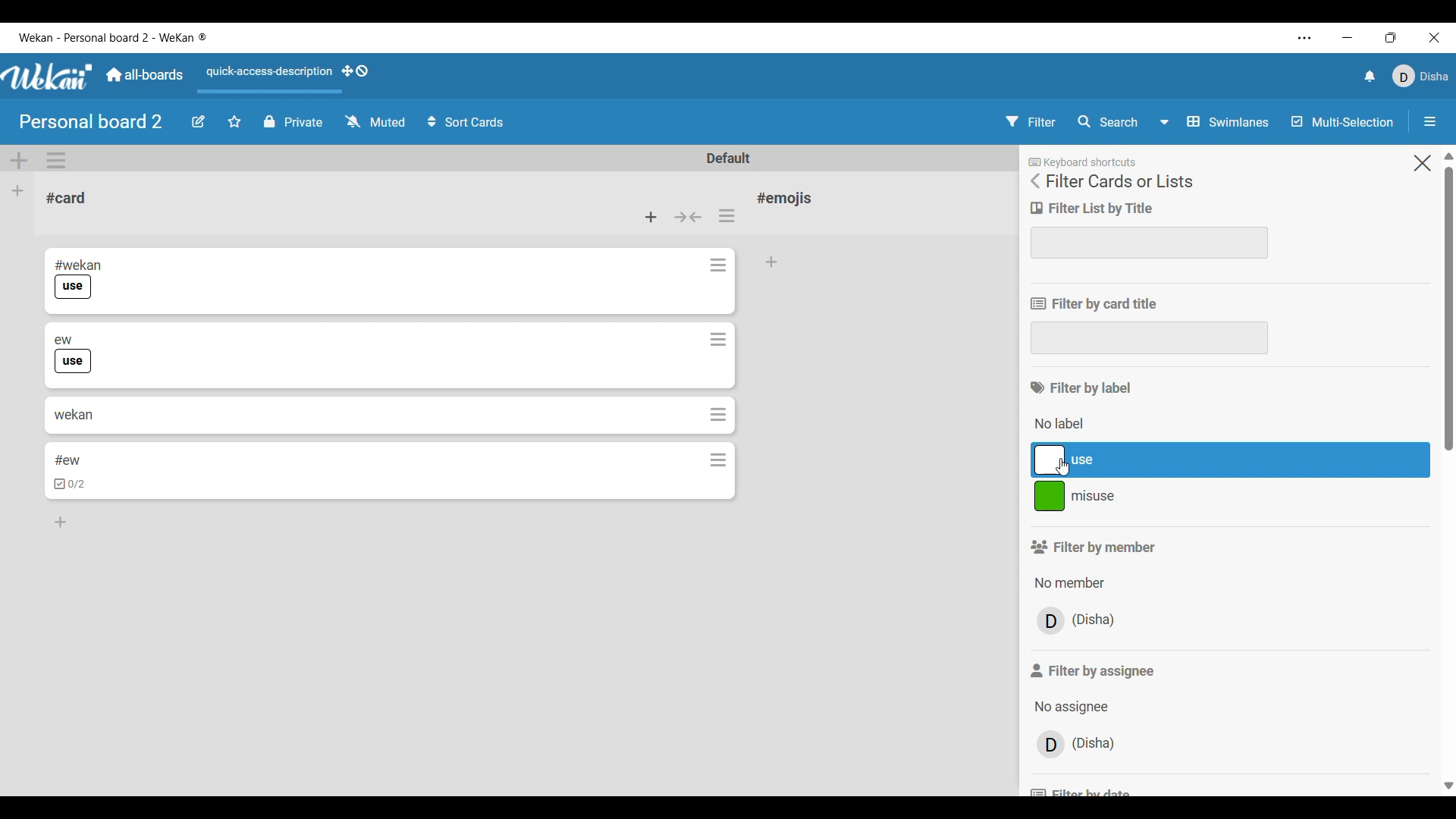  I want to click on Default, so click(727, 158).